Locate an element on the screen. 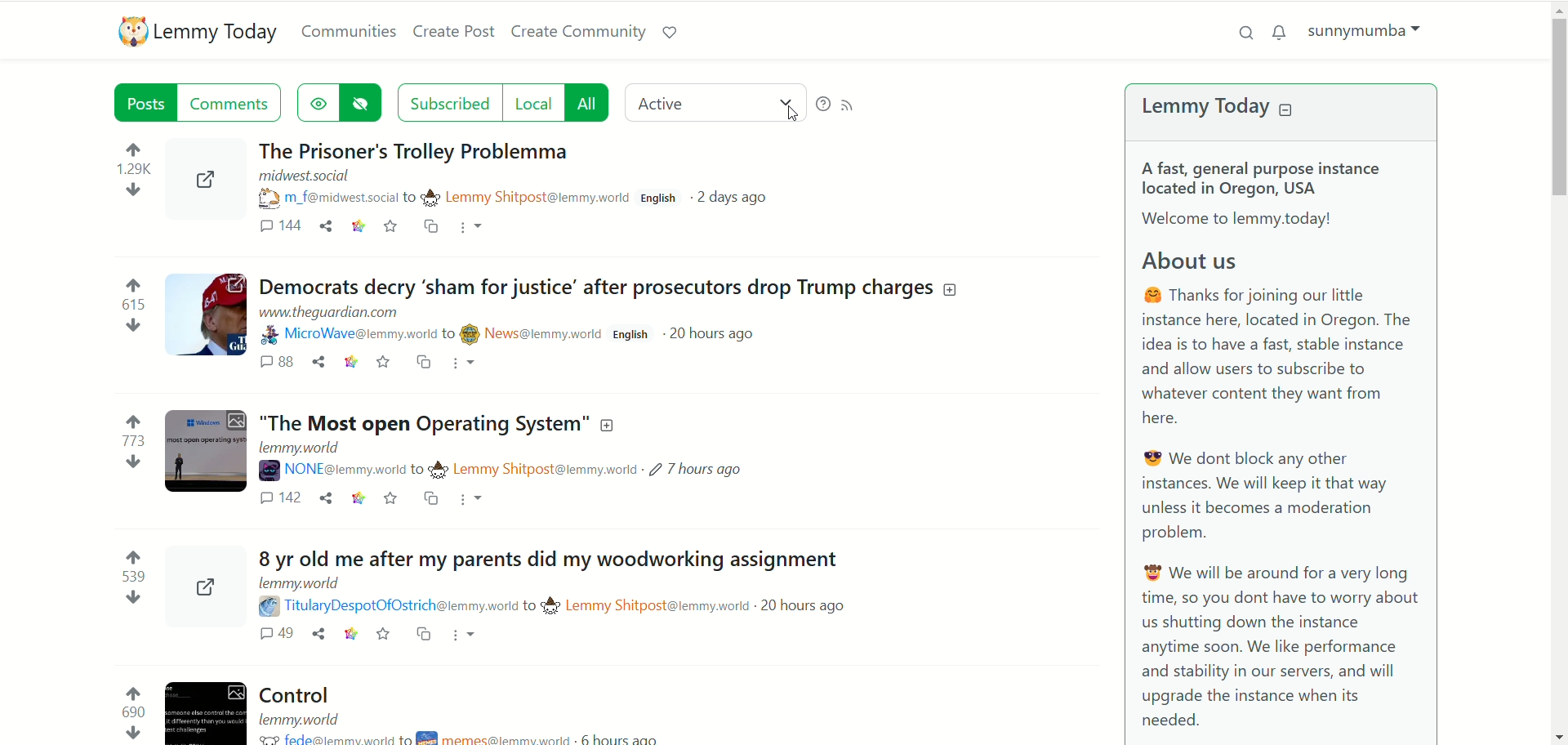  help is located at coordinates (820, 104).